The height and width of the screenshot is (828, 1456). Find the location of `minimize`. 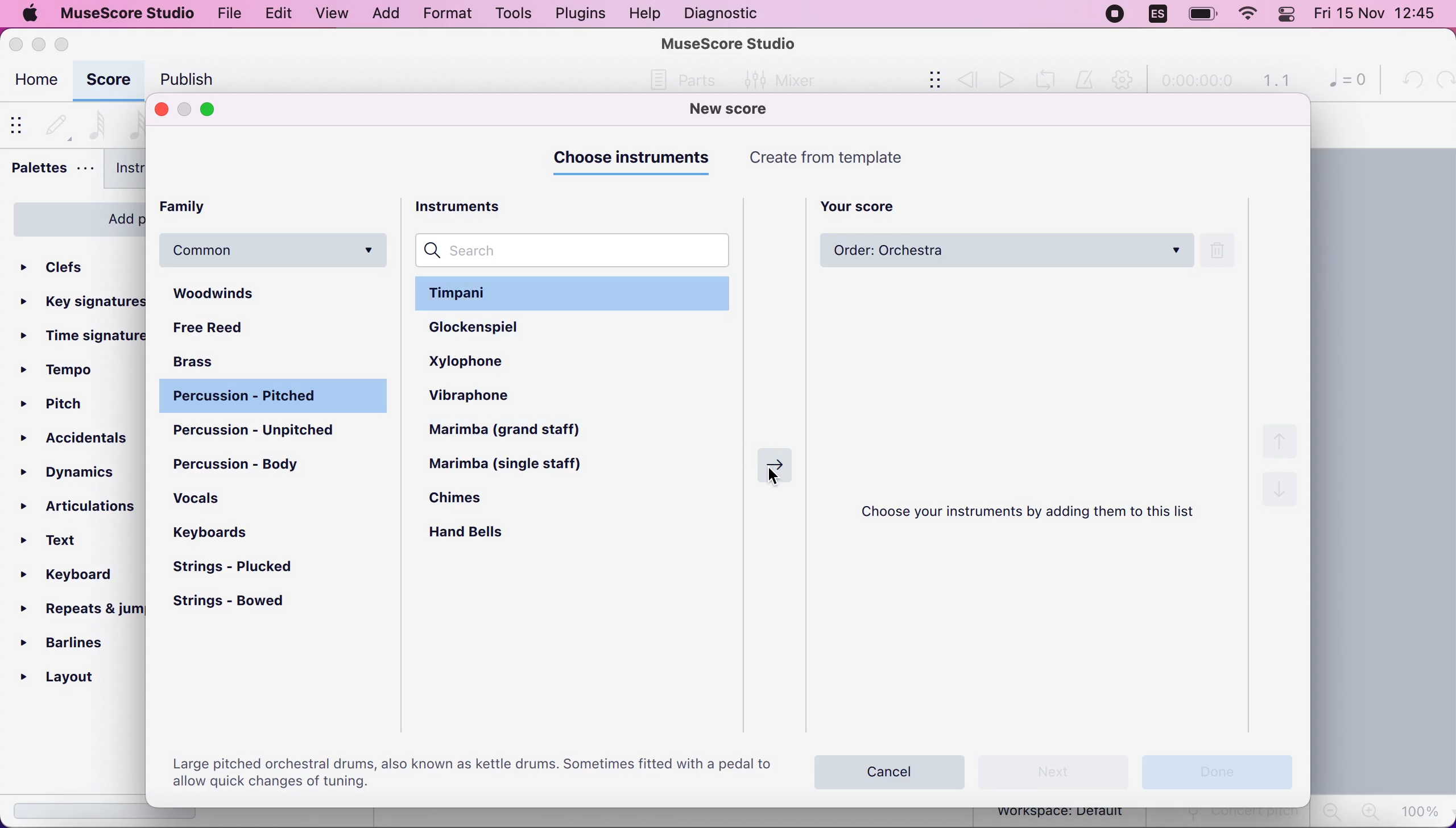

minimize is located at coordinates (38, 42).